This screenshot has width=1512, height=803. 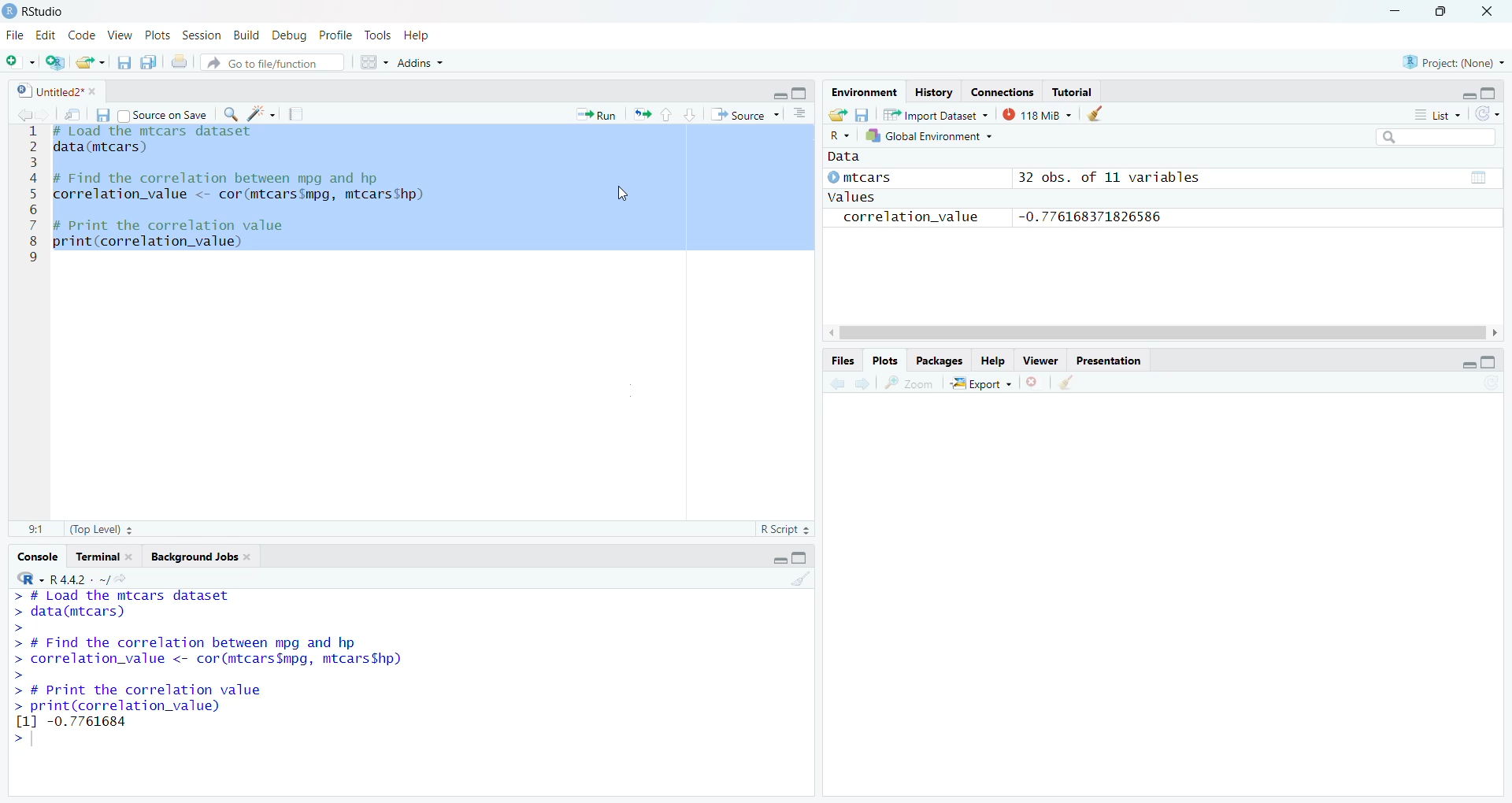 I want to click on 1:1, so click(x=28, y=526).